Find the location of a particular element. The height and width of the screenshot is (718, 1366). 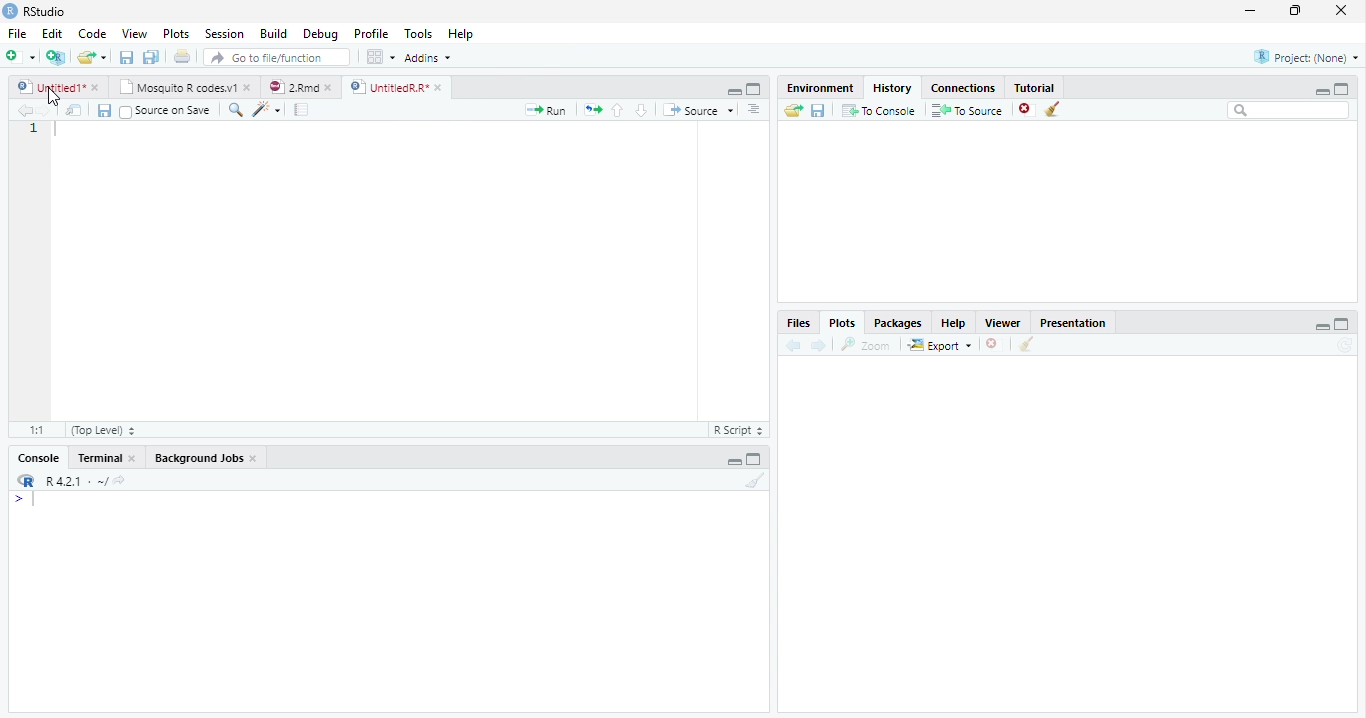

Next is located at coordinates (45, 110).